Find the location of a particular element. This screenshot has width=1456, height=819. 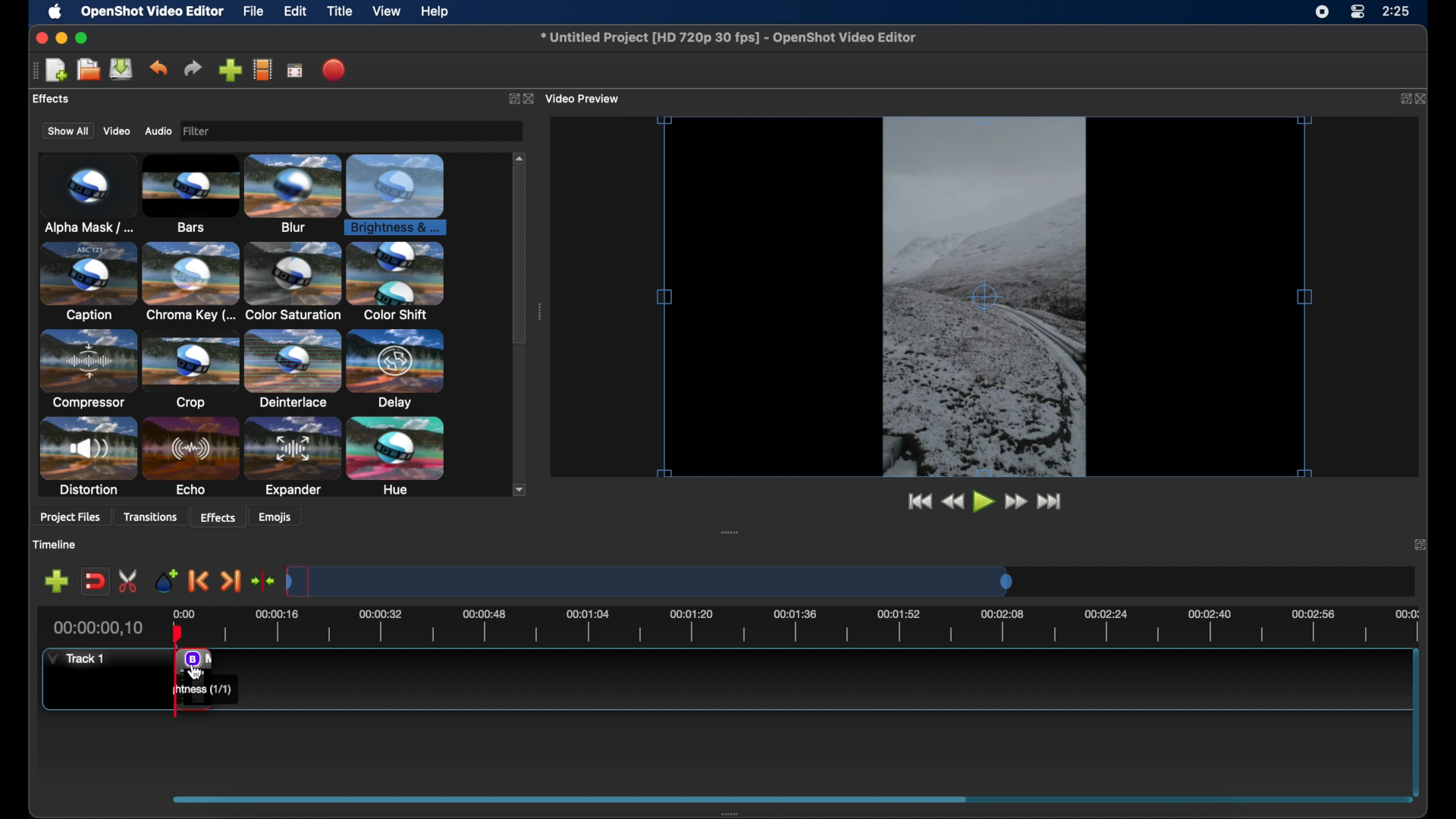

audio is located at coordinates (159, 131).